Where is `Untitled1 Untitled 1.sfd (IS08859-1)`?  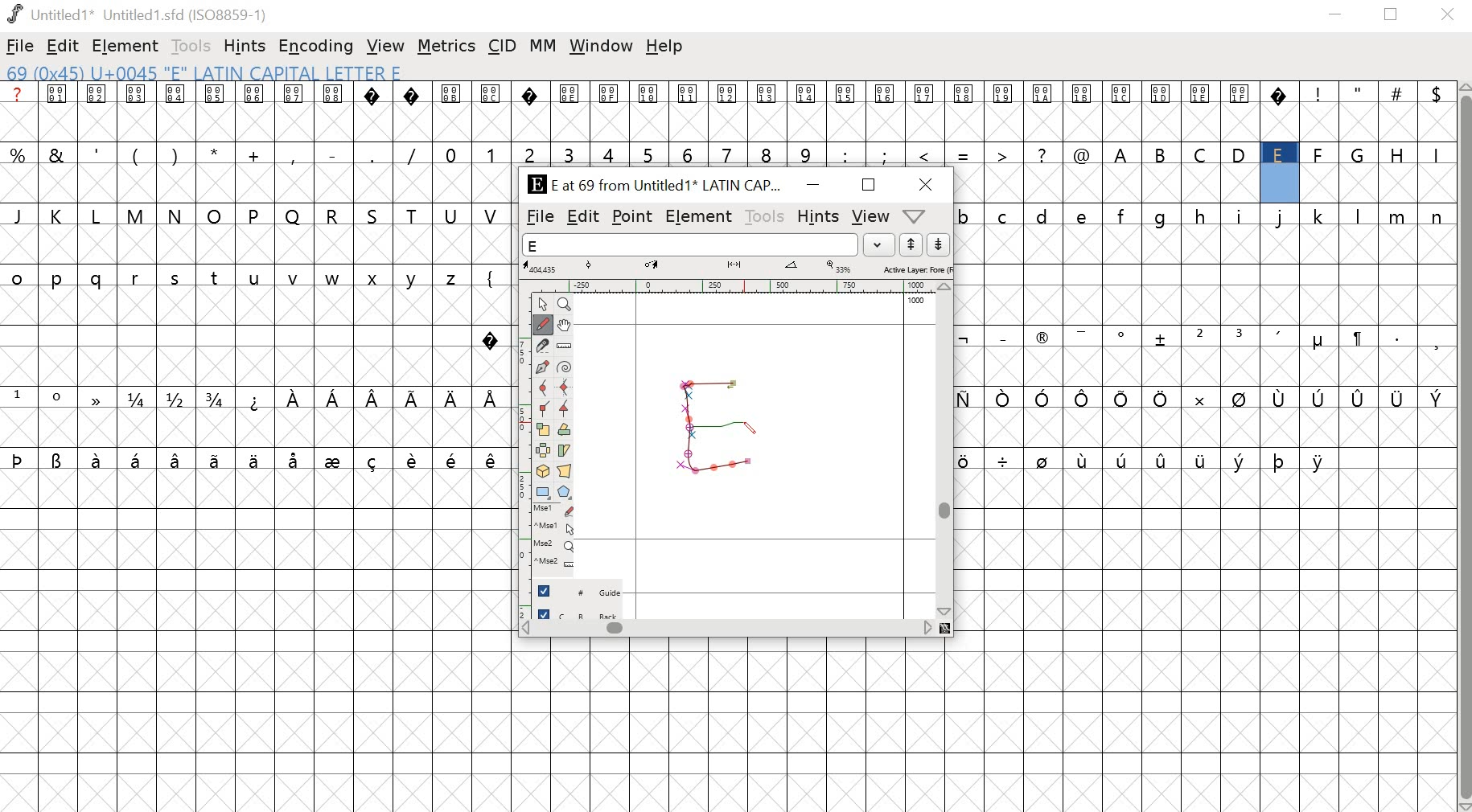
Untitled1 Untitled 1.sfd (IS08859-1) is located at coordinates (135, 14).